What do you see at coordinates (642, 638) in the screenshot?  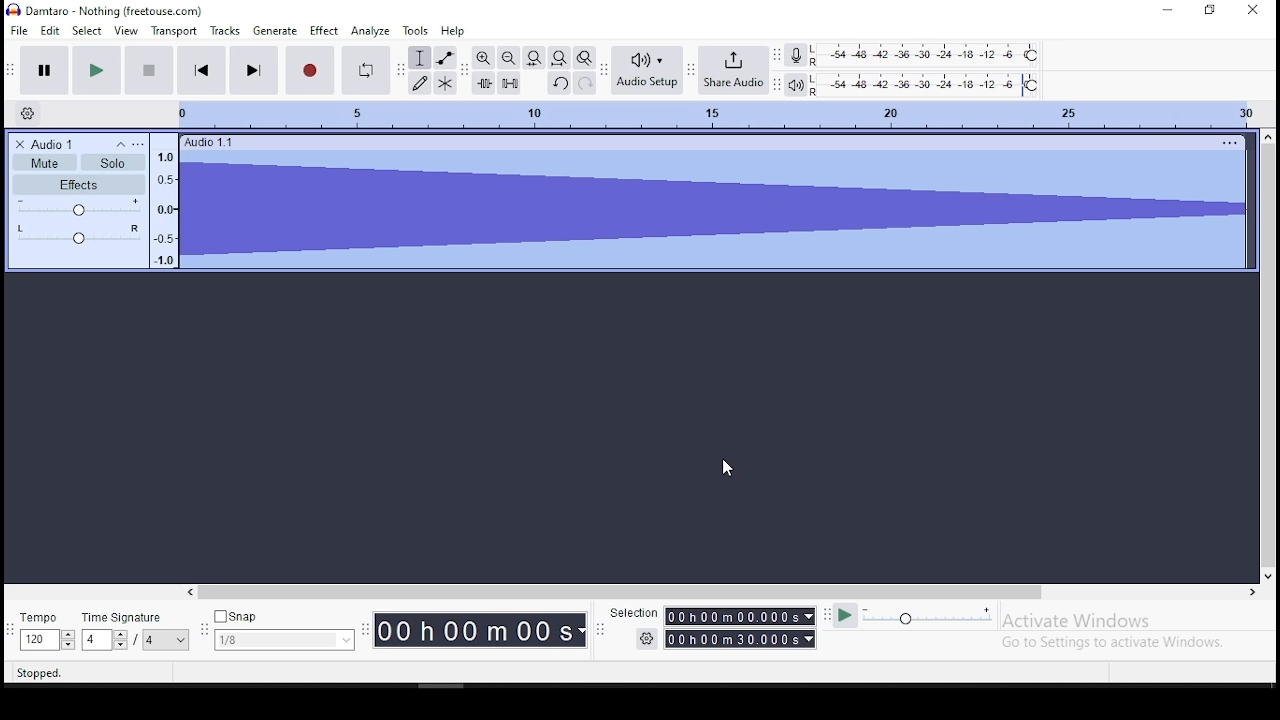 I see `settings` at bounding box center [642, 638].